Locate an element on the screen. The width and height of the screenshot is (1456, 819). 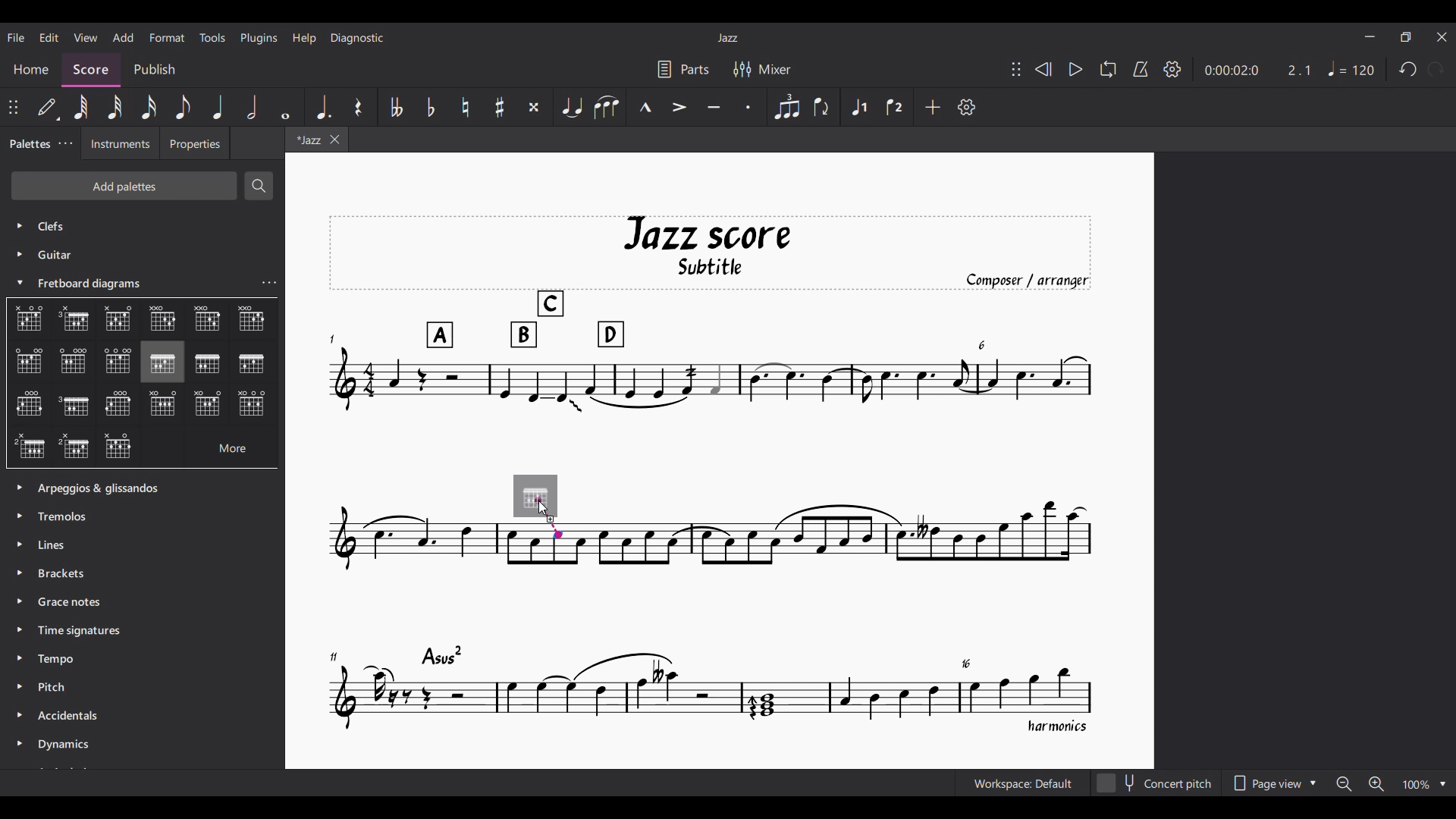
Toggle double sharp is located at coordinates (535, 107).